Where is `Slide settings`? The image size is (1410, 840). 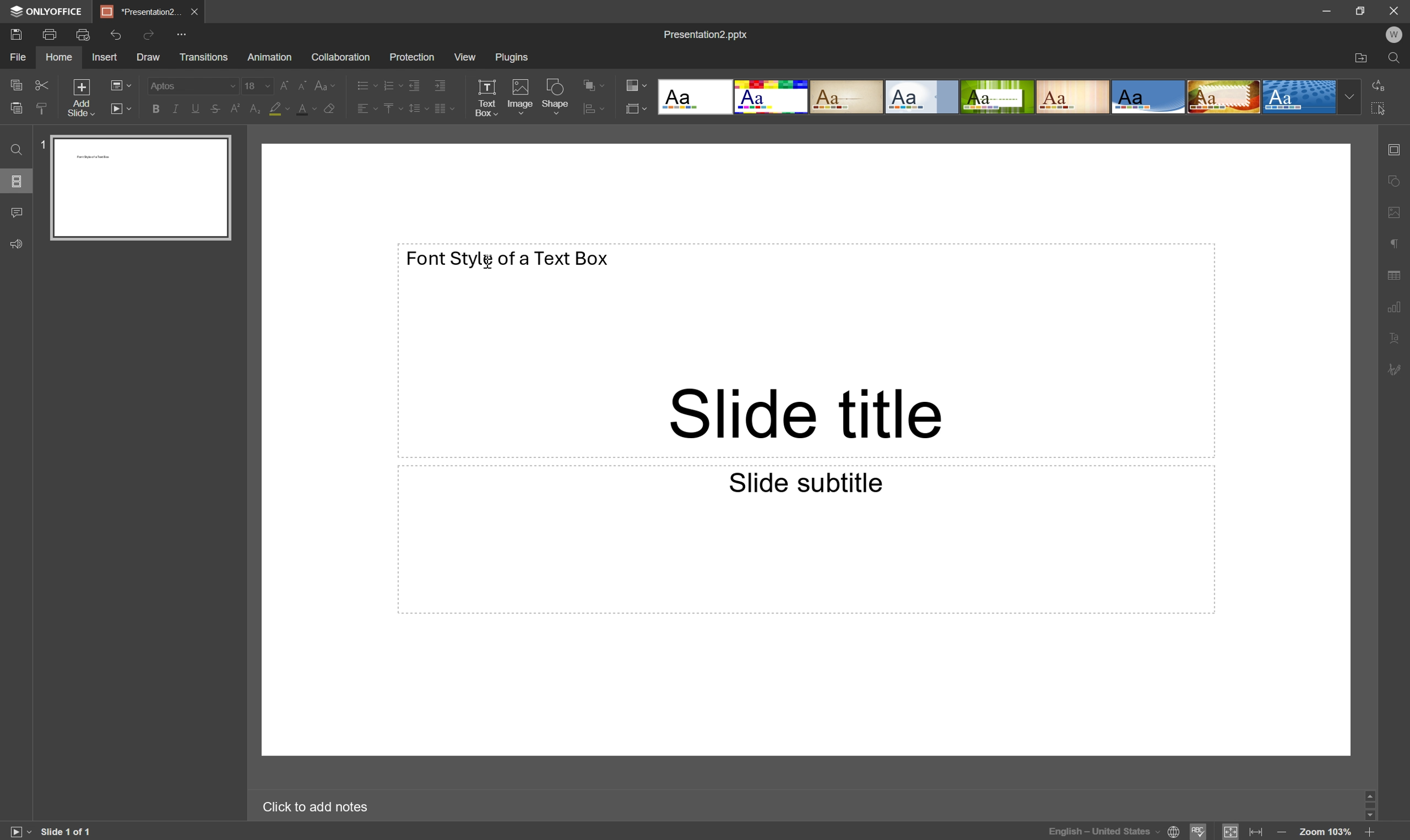
Slide settings is located at coordinates (1398, 149).